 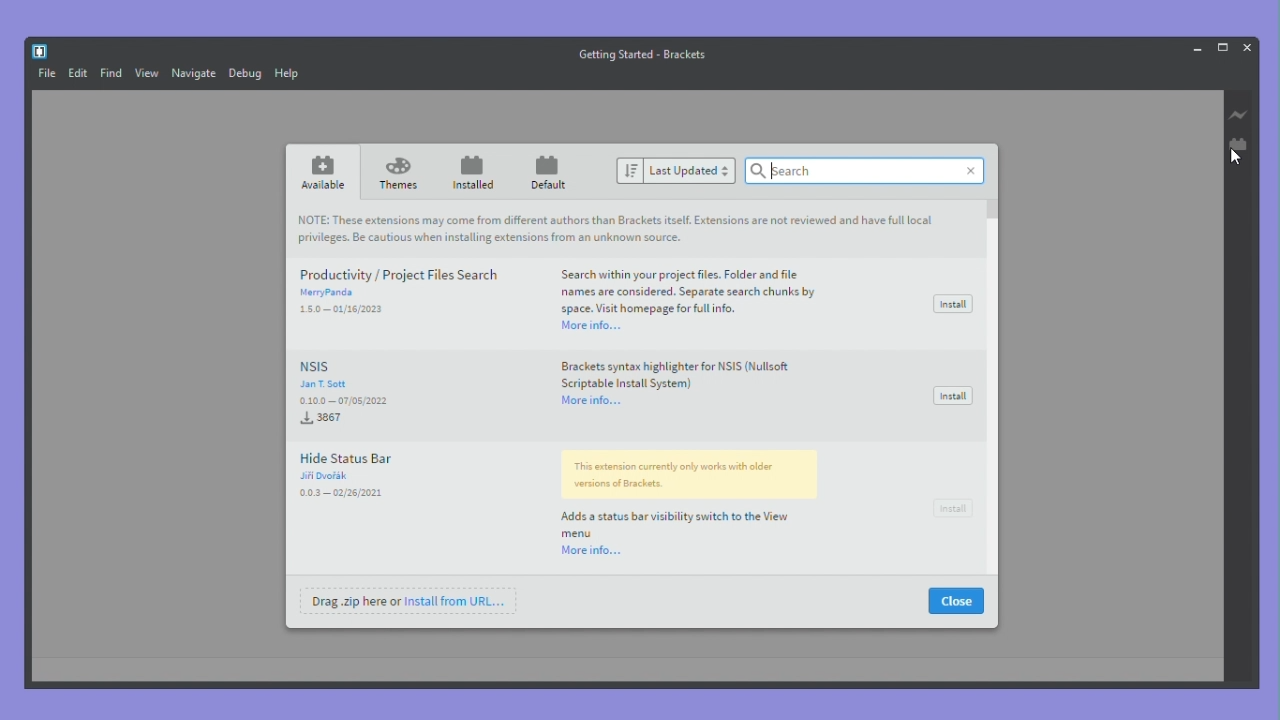 I want to click on Extension manager, so click(x=1239, y=145).